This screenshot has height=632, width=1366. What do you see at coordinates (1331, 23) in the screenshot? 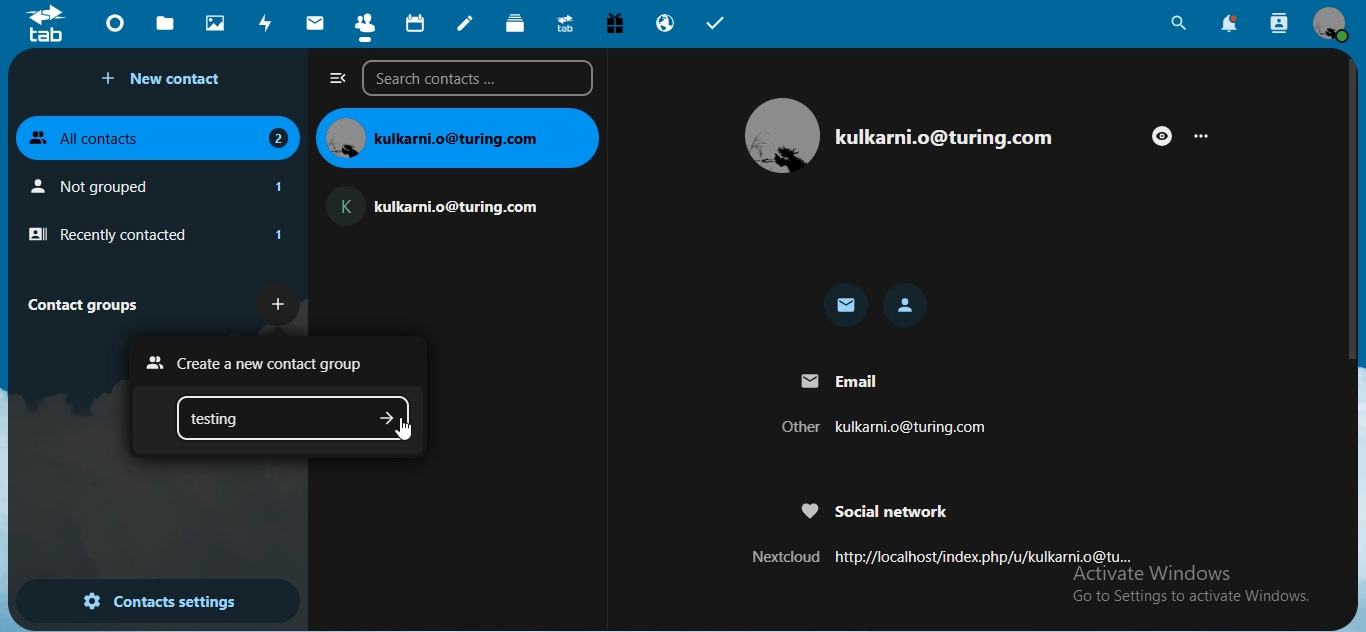
I see `view profile` at bounding box center [1331, 23].